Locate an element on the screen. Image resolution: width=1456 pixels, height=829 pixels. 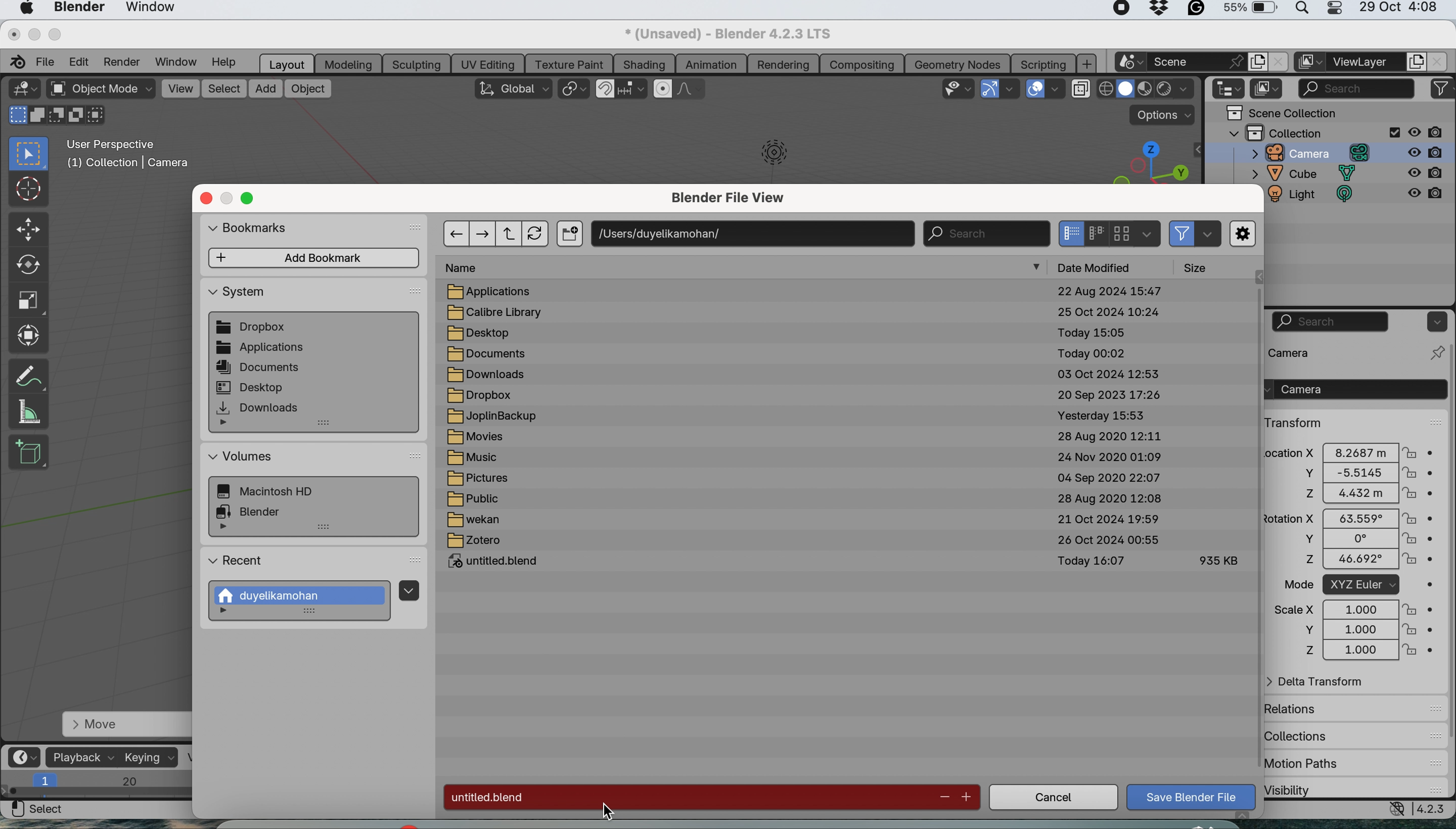
downloads is located at coordinates (486, 374).